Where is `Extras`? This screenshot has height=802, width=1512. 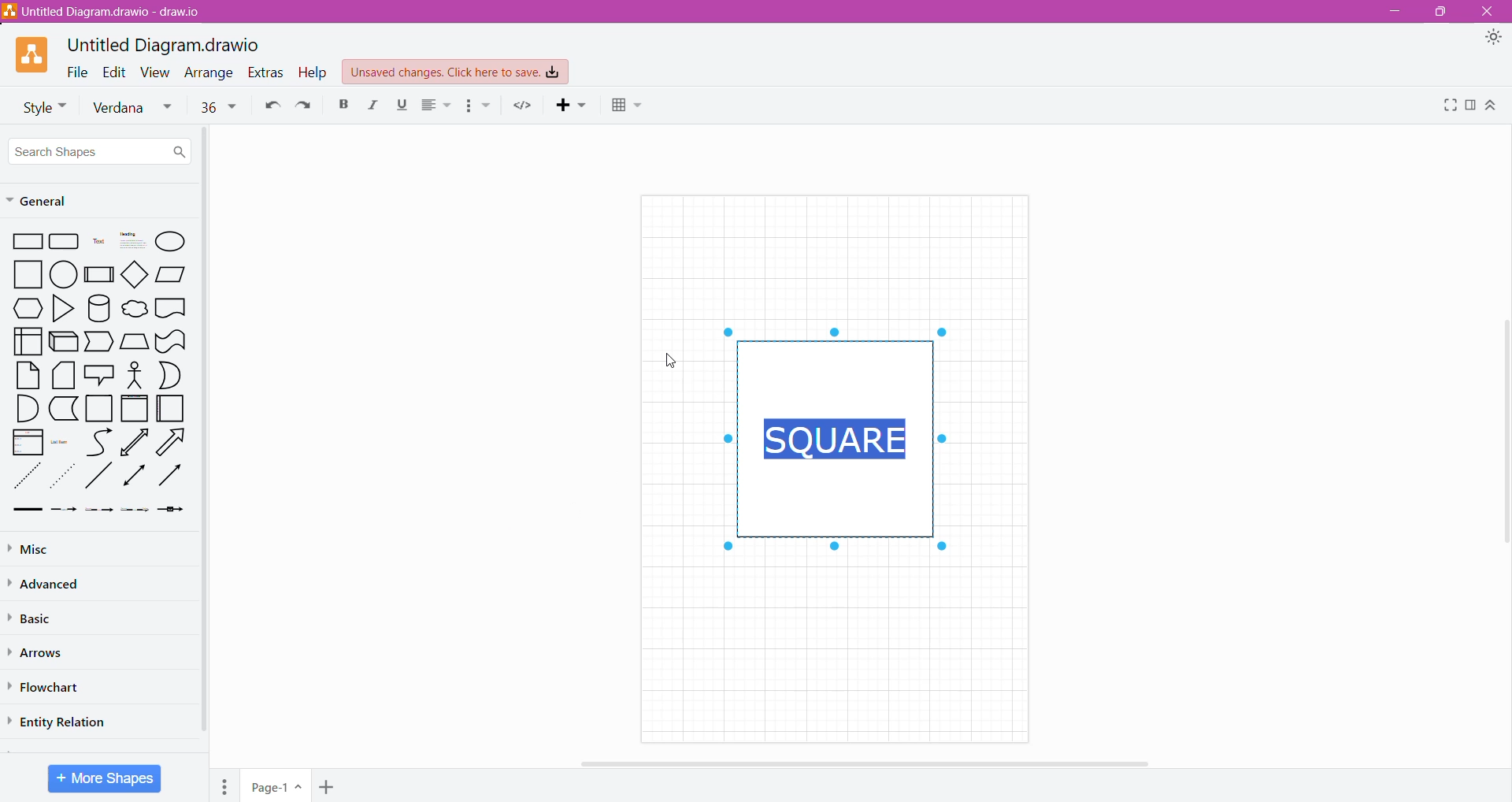
Extras is located at coordinates (265, 72).